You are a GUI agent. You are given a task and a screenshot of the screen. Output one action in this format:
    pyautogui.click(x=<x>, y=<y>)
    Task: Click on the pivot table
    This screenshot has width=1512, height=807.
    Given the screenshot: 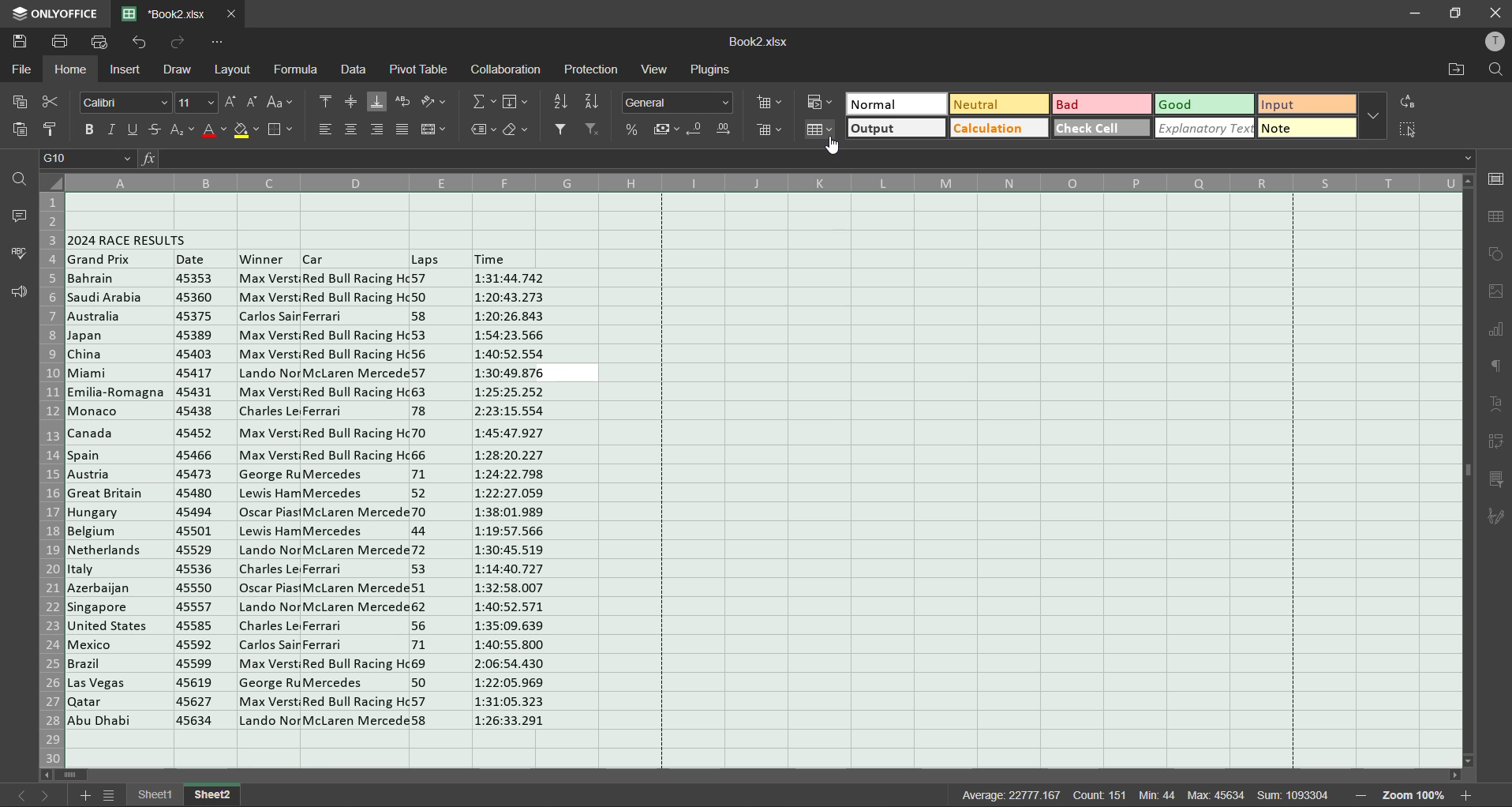 What is the action you would take?
    pyautogui.click(x=417, y=69)
    